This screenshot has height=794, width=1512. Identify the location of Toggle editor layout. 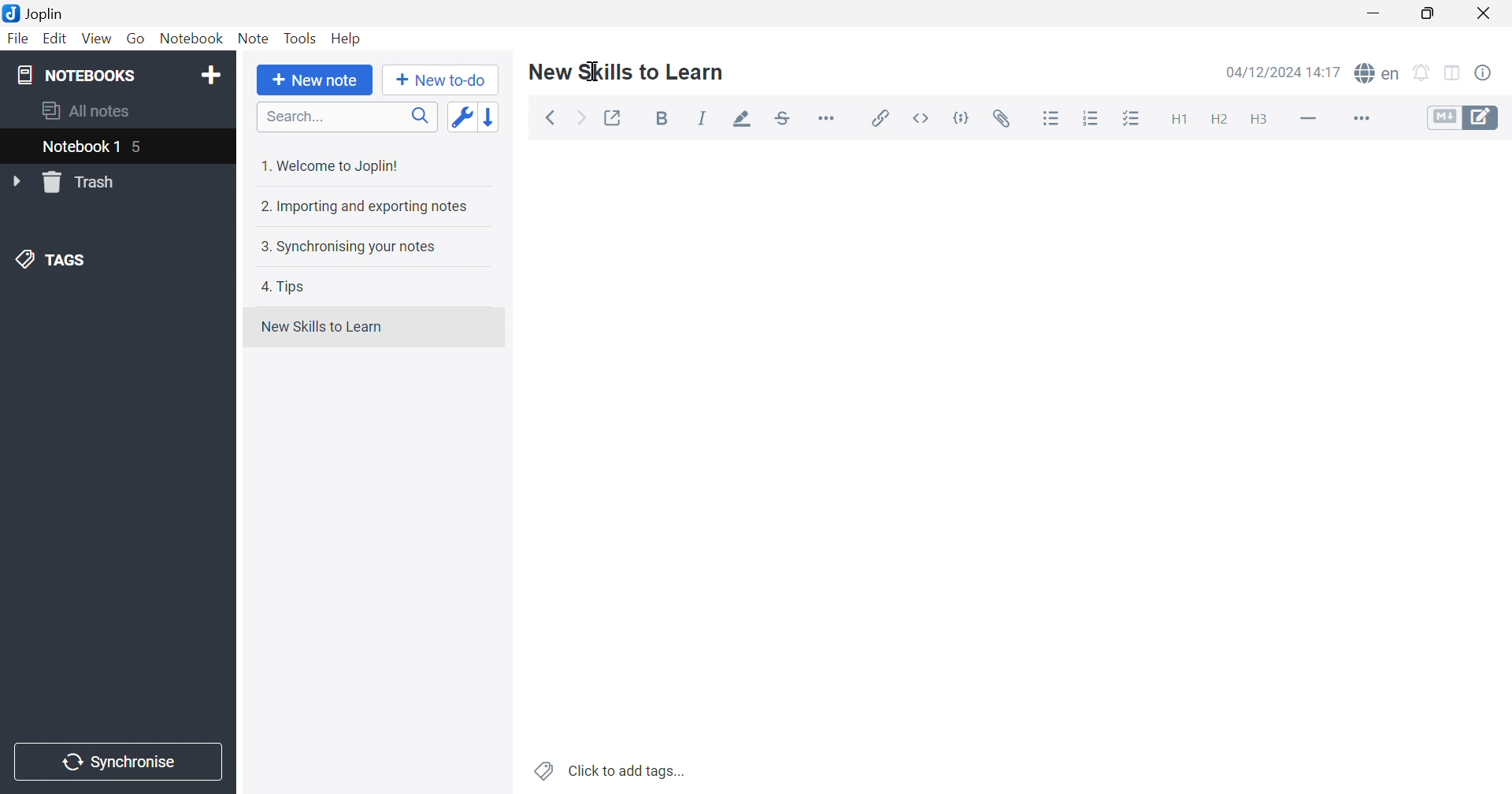
(1455, 74).